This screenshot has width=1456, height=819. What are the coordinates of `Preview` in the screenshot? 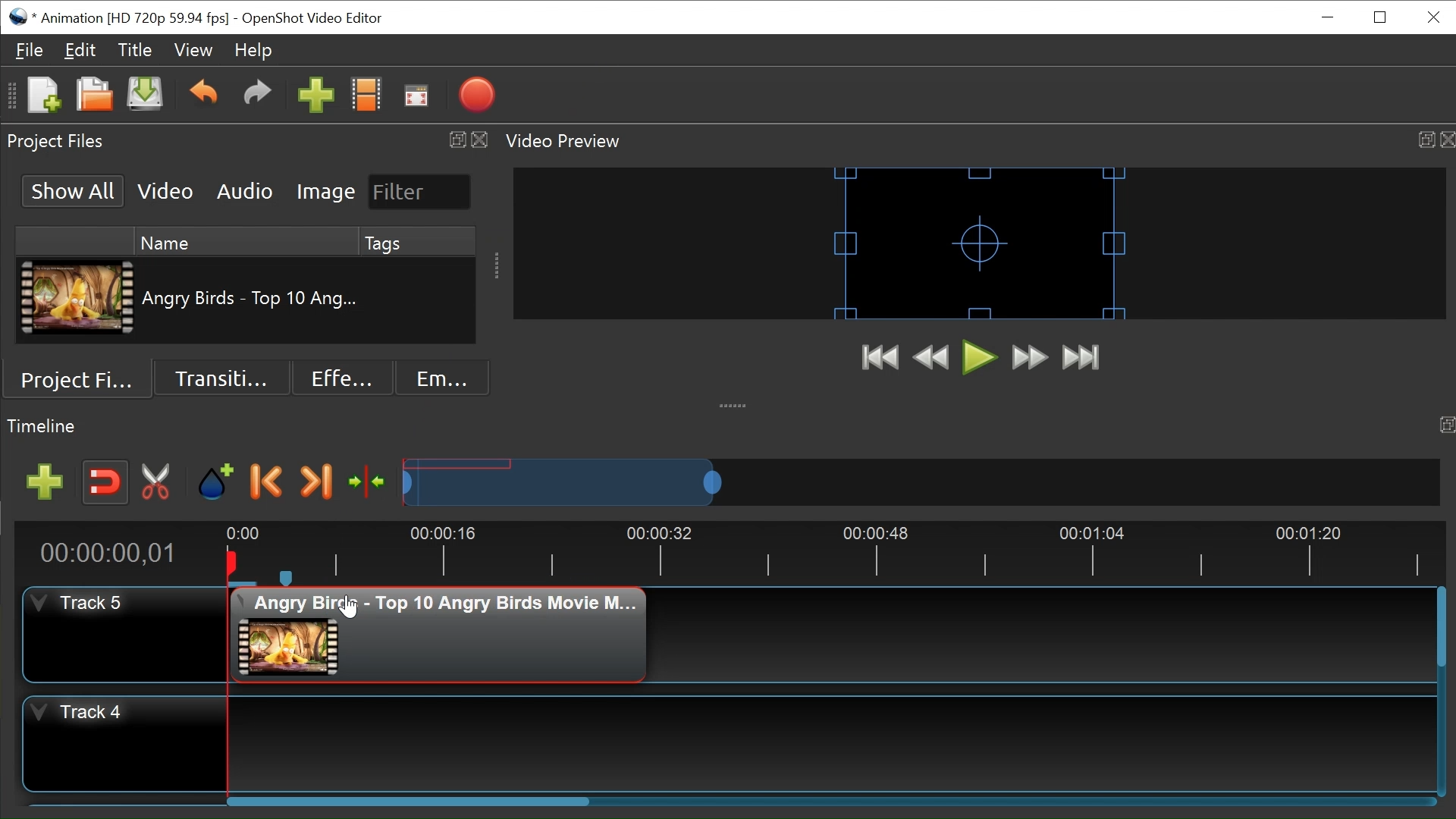 It's located at (931, 359).